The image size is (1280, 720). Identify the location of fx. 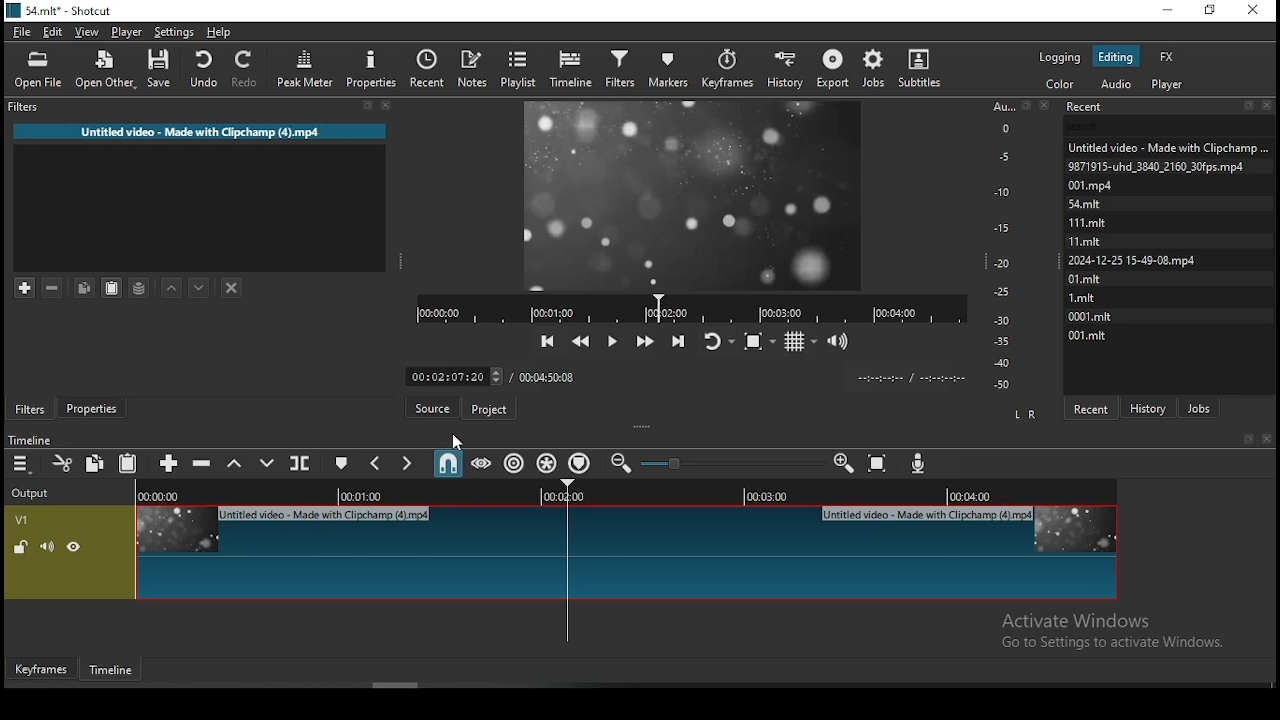
(1166, 56).